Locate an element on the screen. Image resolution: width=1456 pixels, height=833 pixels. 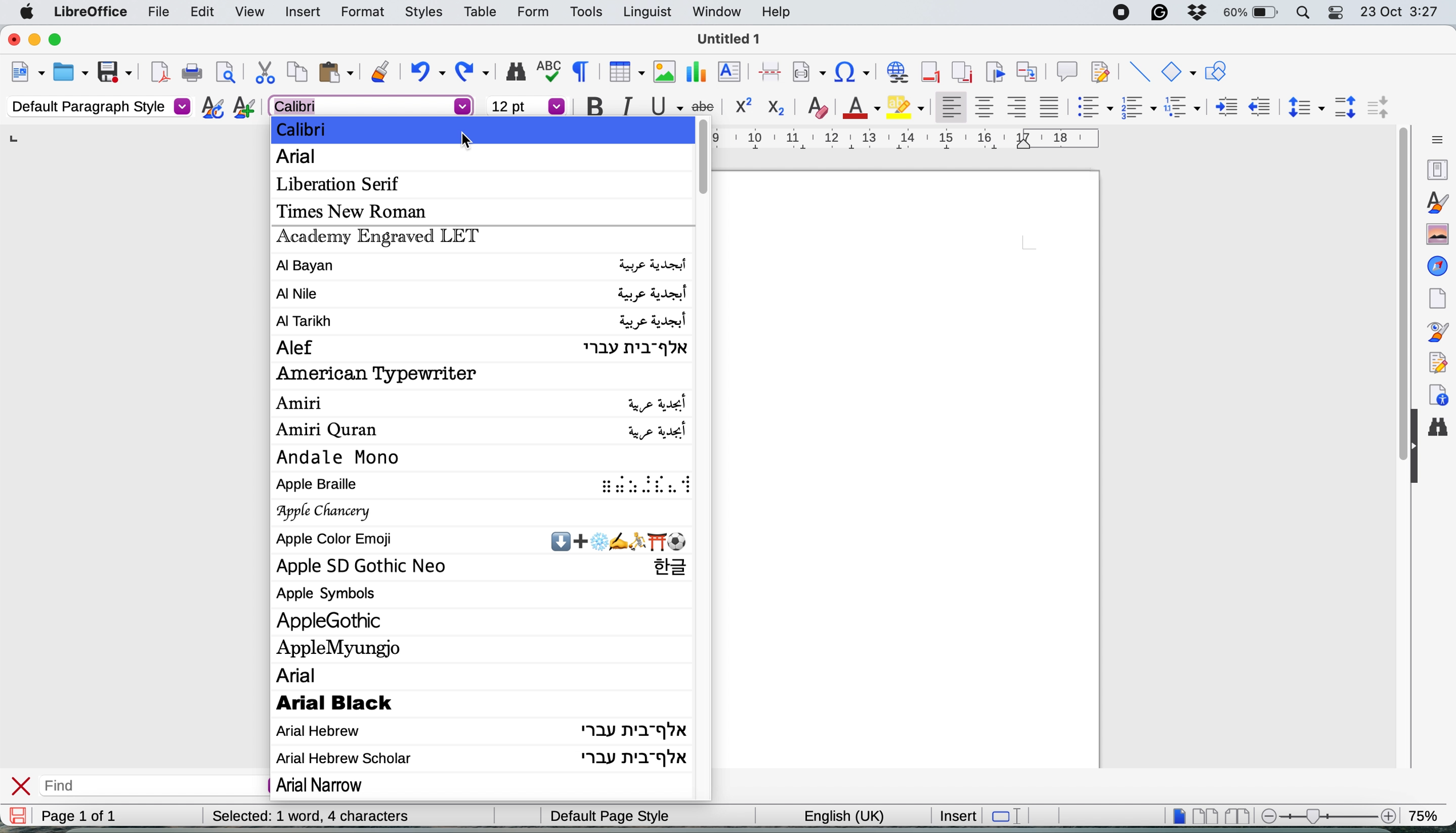
sub script is located at coordinates (778, 106).